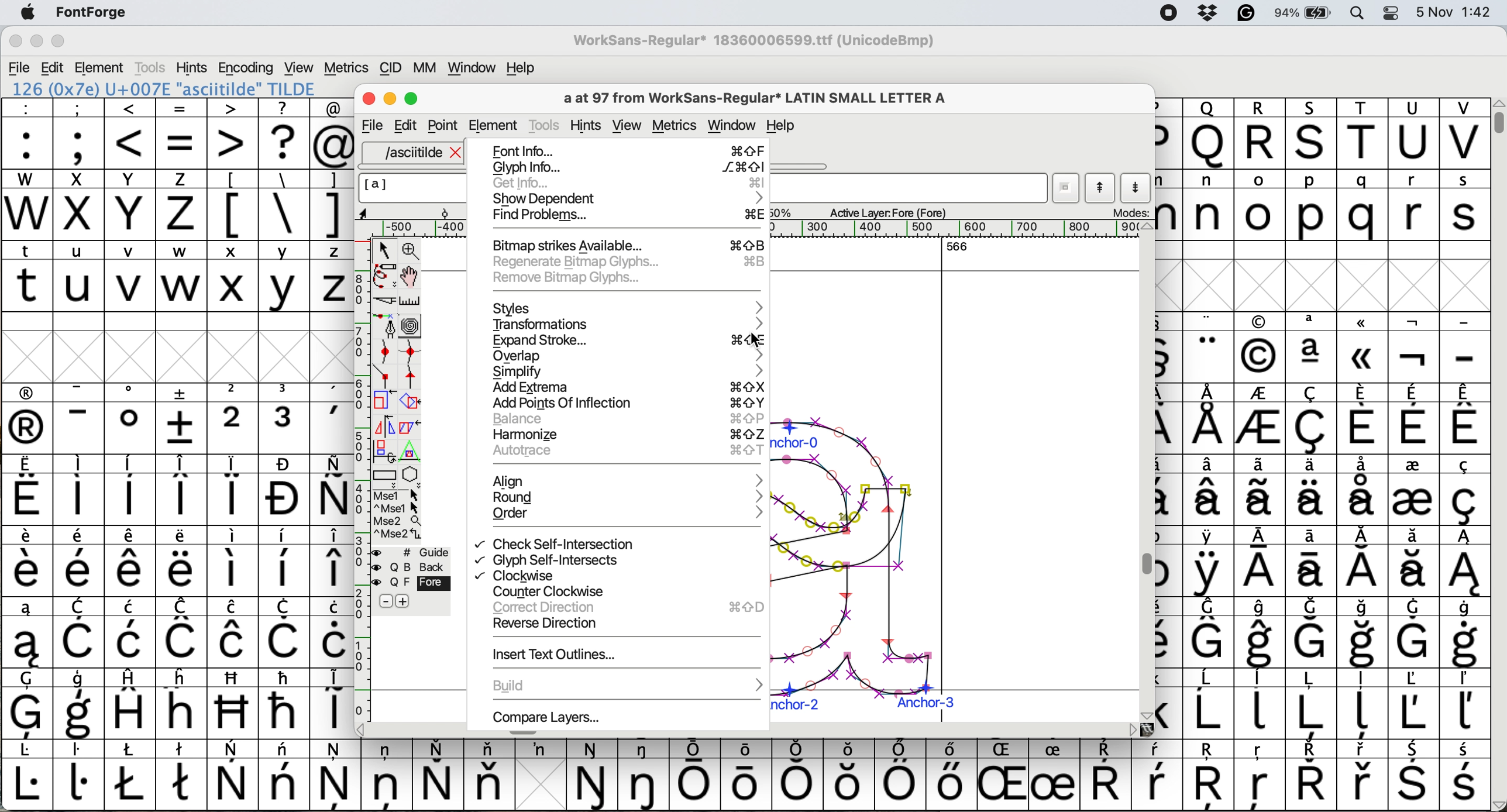 This screenshot has width=1507, height=812. Describe the element at coordinates (1261, 421) in the screenshot. I see `symbol` at that location.